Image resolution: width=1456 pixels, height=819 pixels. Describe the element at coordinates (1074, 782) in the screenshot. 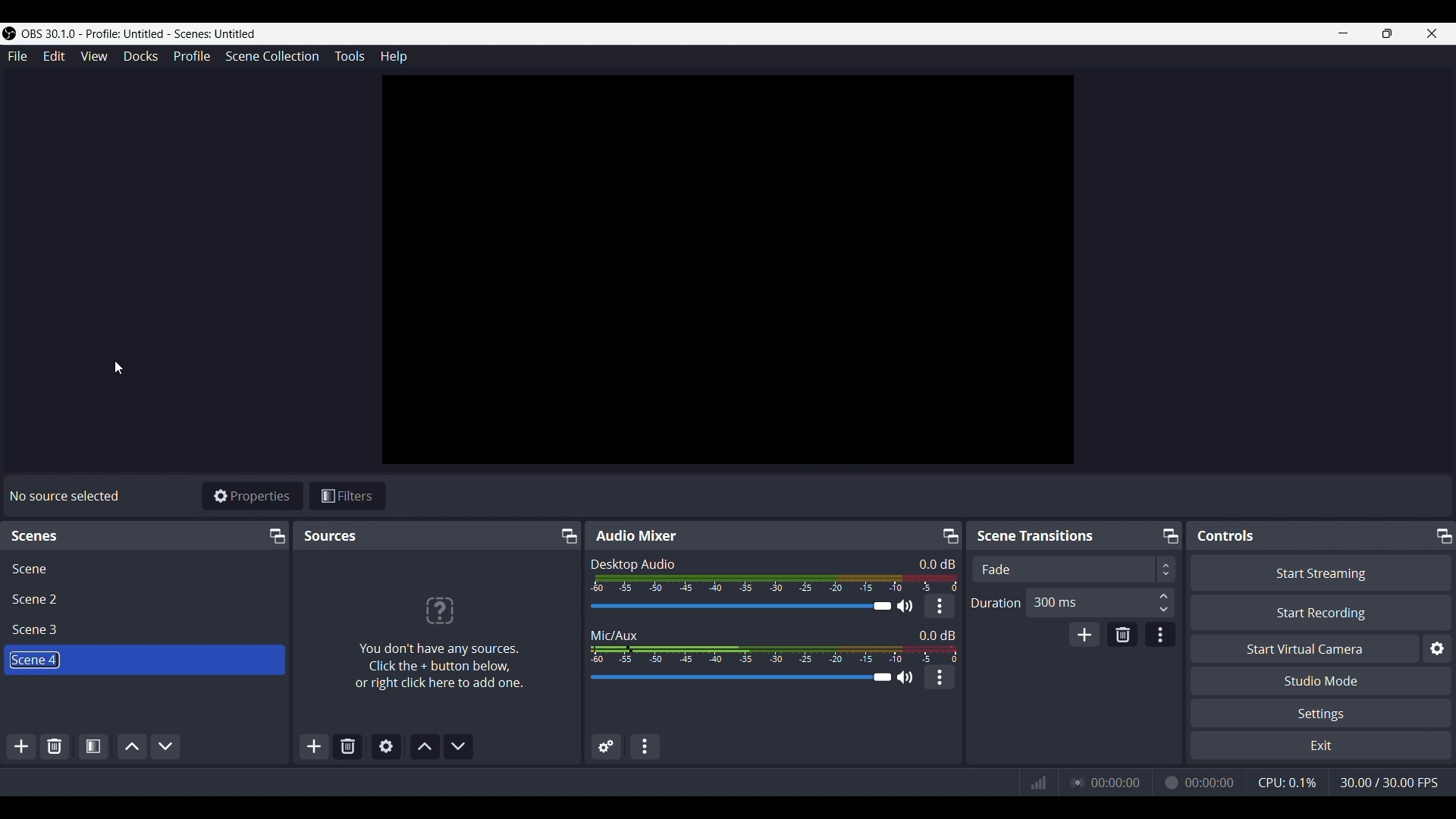

I see `Streaming` at that location.